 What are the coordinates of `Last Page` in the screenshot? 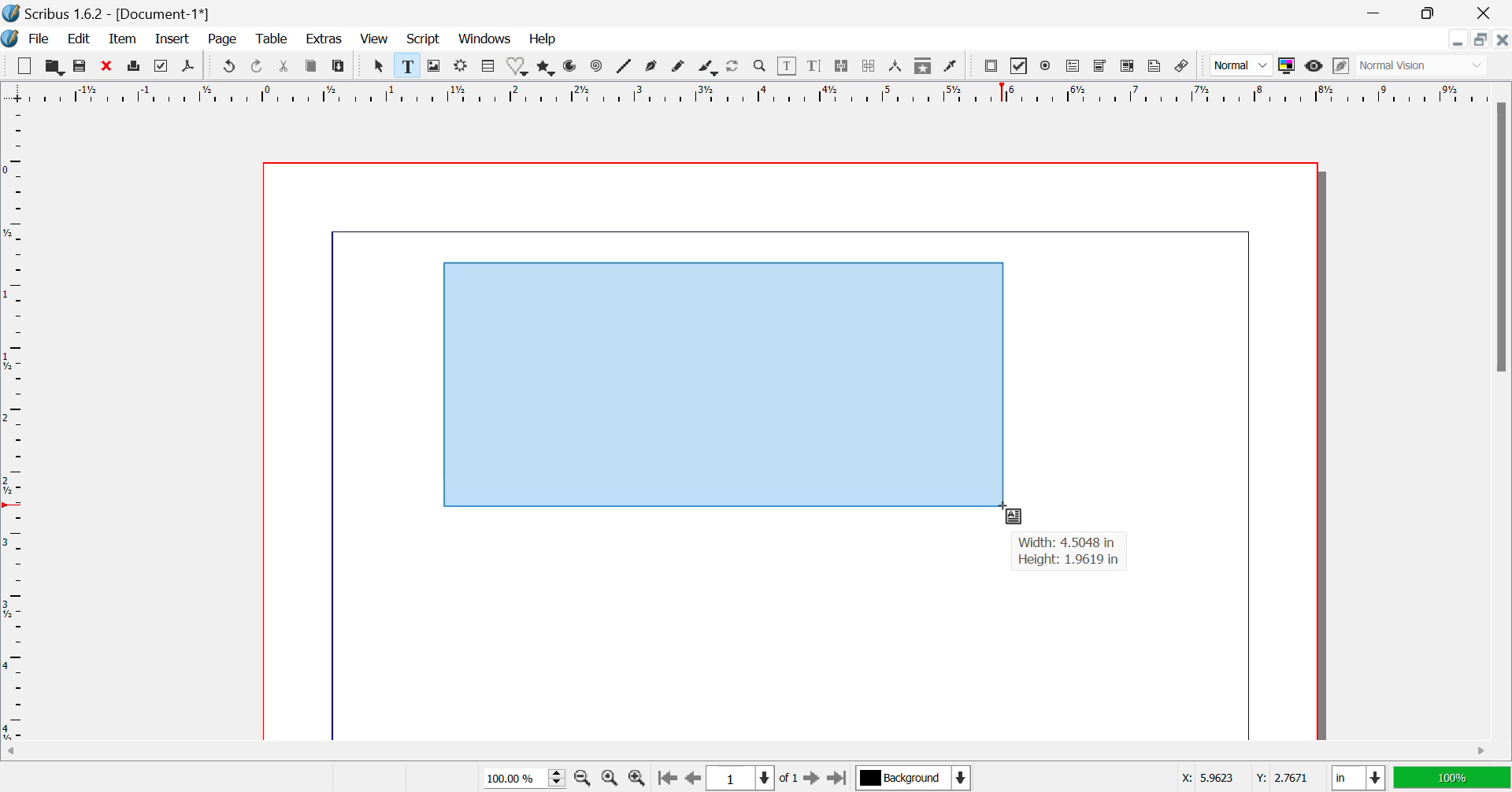 It's located at (836, 777).